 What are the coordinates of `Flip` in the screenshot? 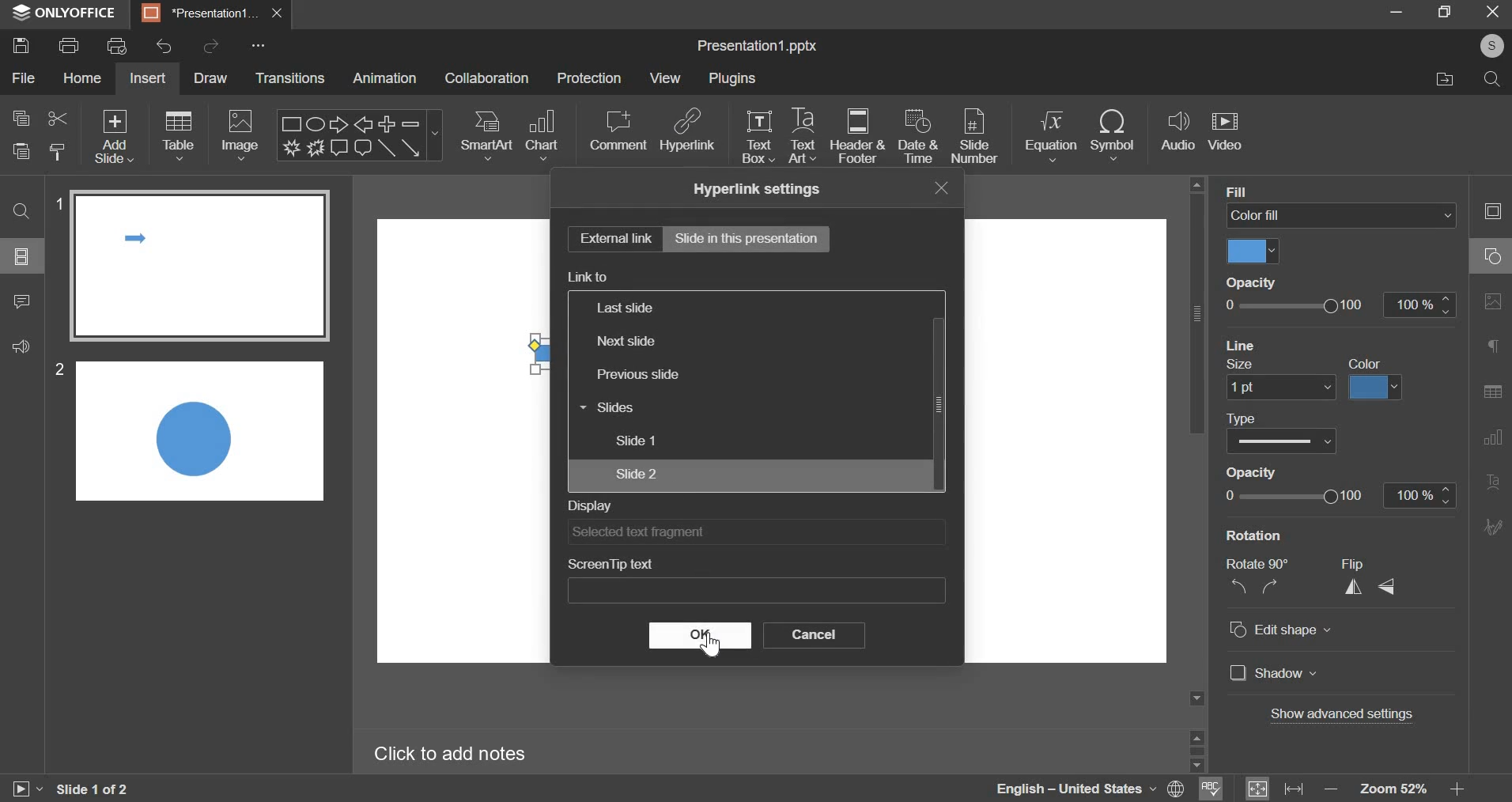 It's located at (1358, 564).